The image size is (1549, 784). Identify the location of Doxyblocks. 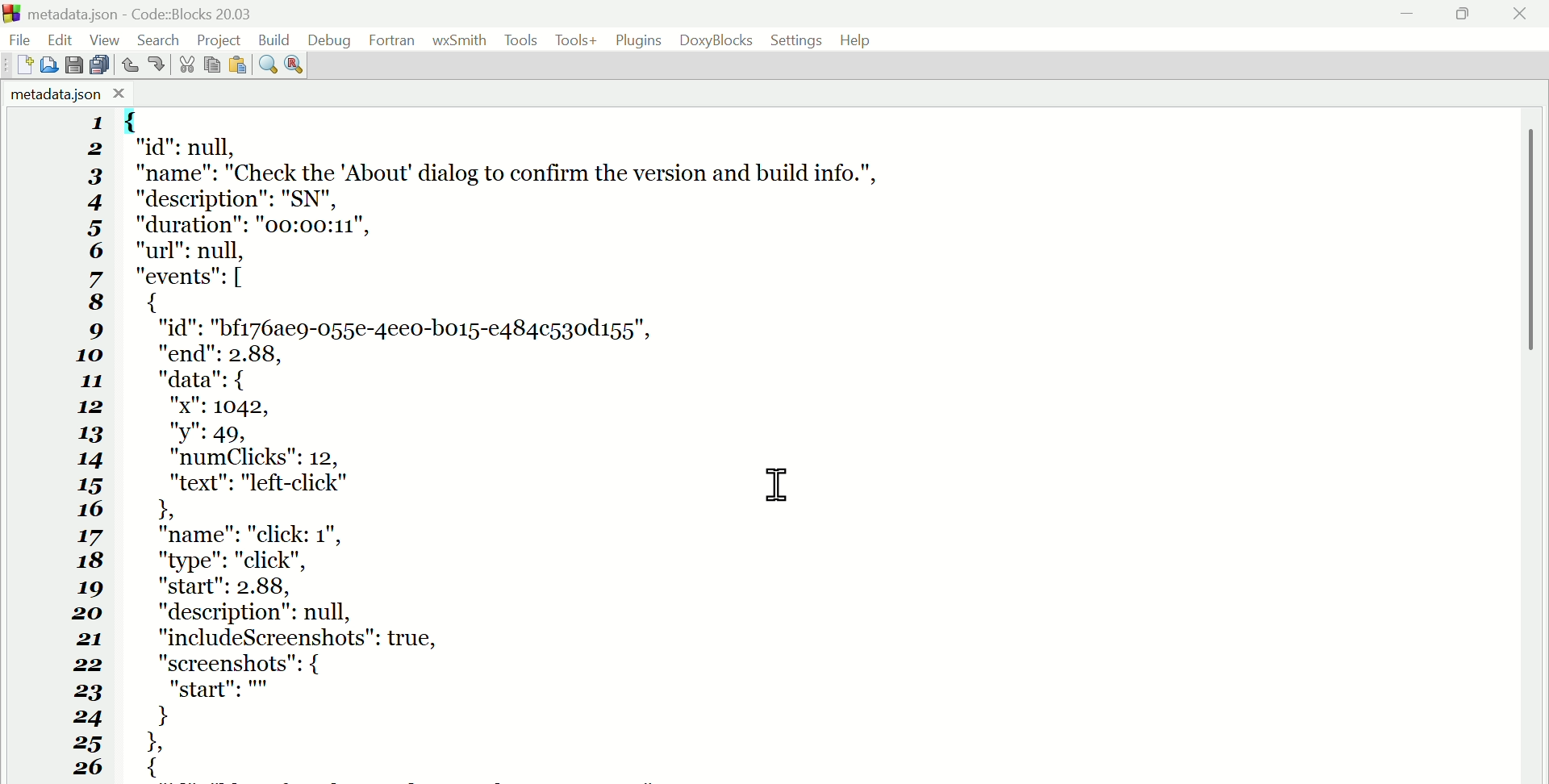
(716, 39).